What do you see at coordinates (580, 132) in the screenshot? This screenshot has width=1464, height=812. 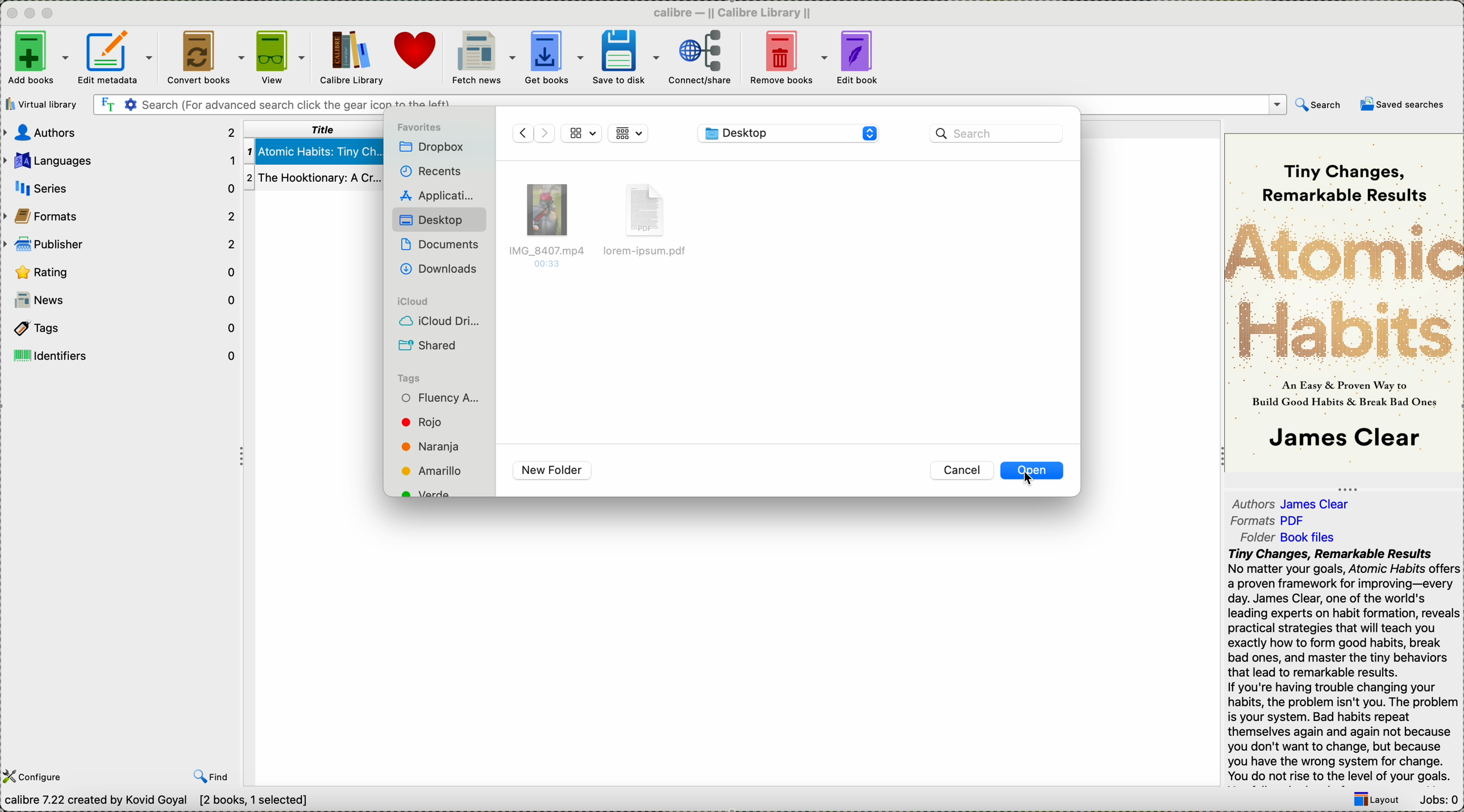 I see `icon` at bounding box center [580, 132].